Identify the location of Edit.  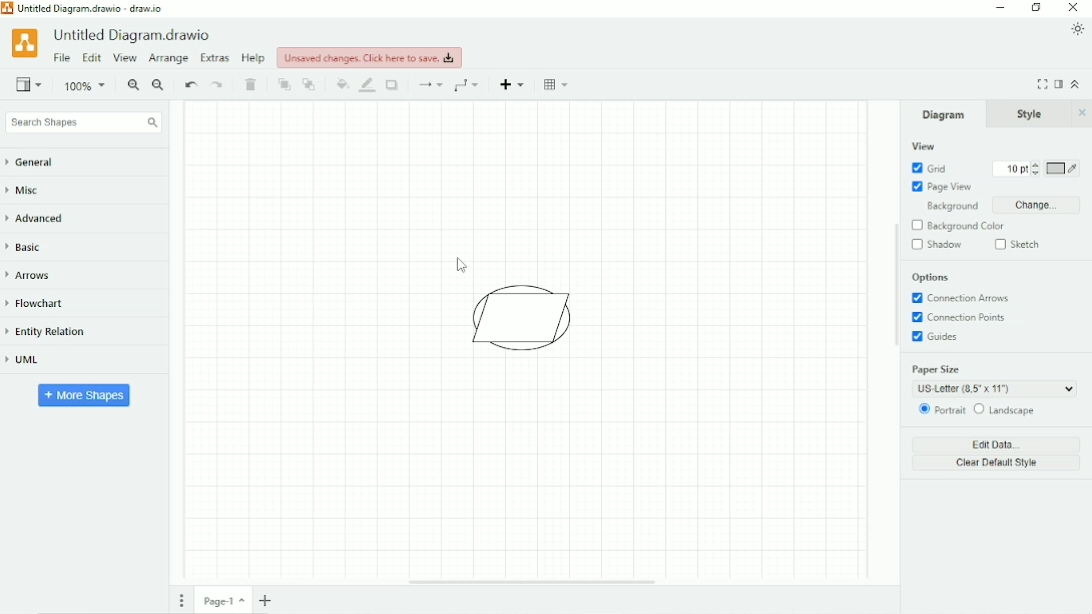
(91, 59).